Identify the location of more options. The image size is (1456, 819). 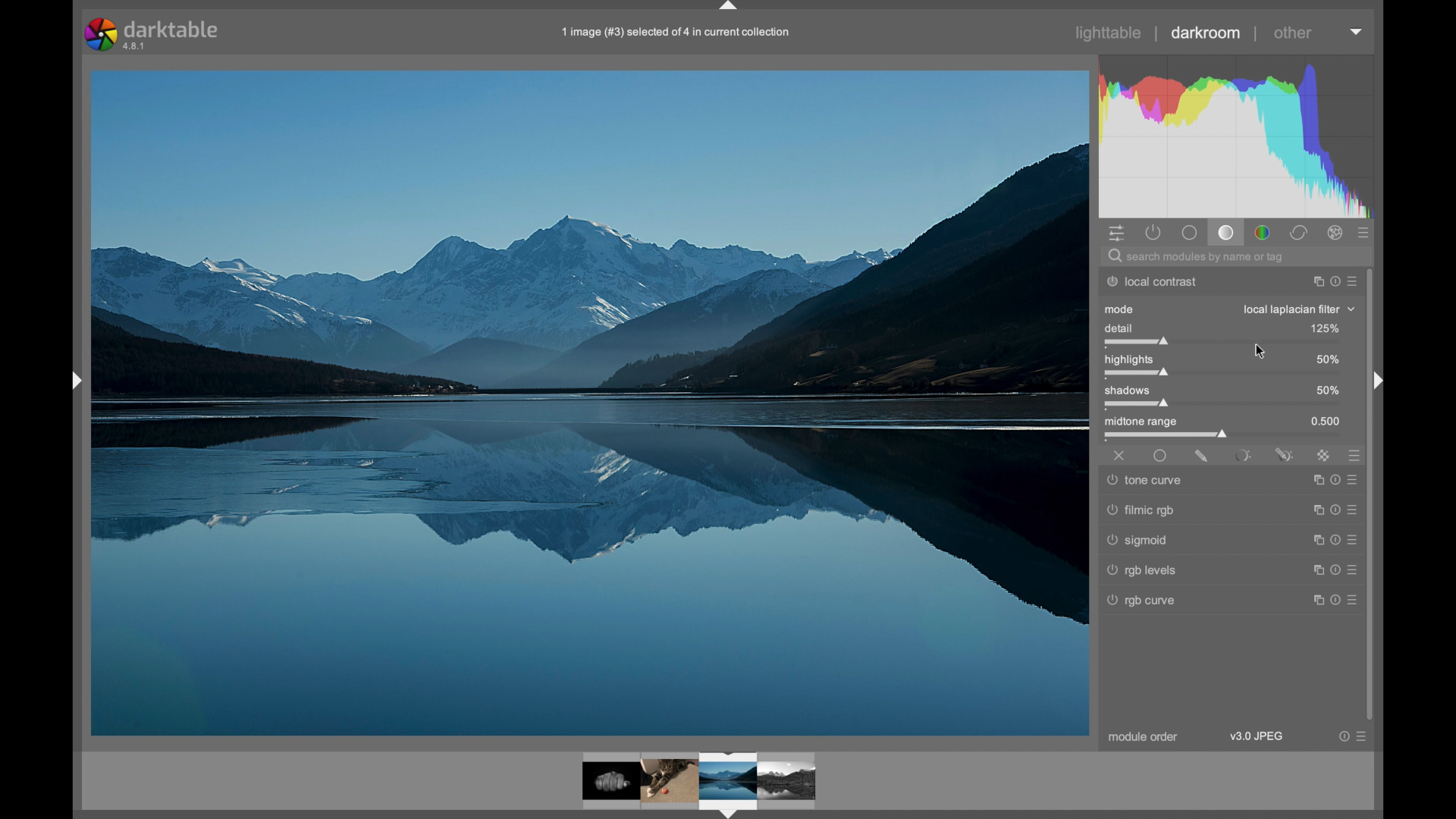
(1335, 281).